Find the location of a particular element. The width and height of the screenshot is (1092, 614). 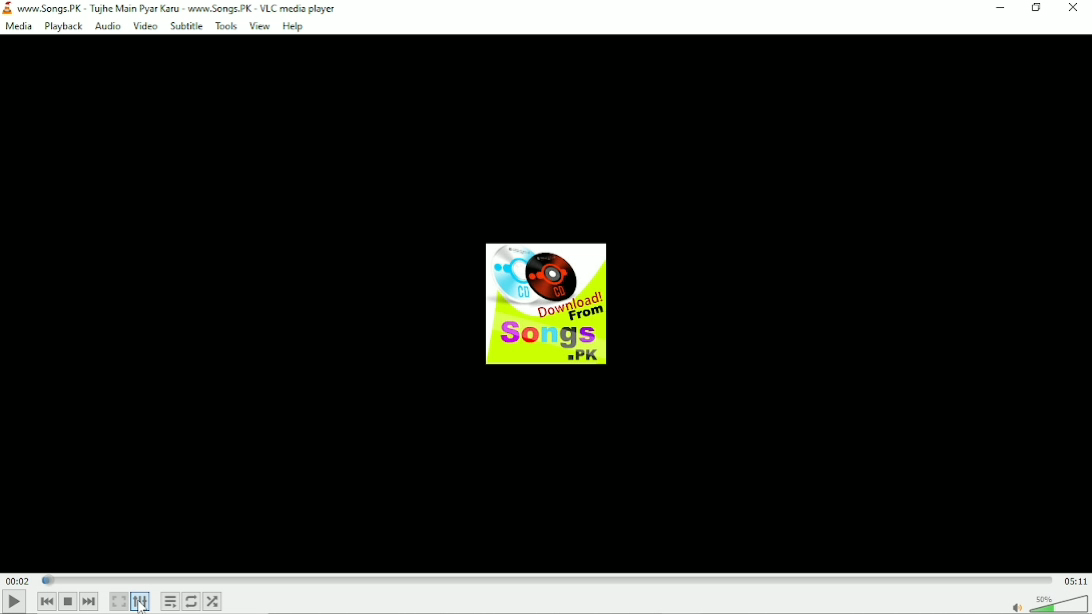

Subtitle is located at coordinates (186, 26).